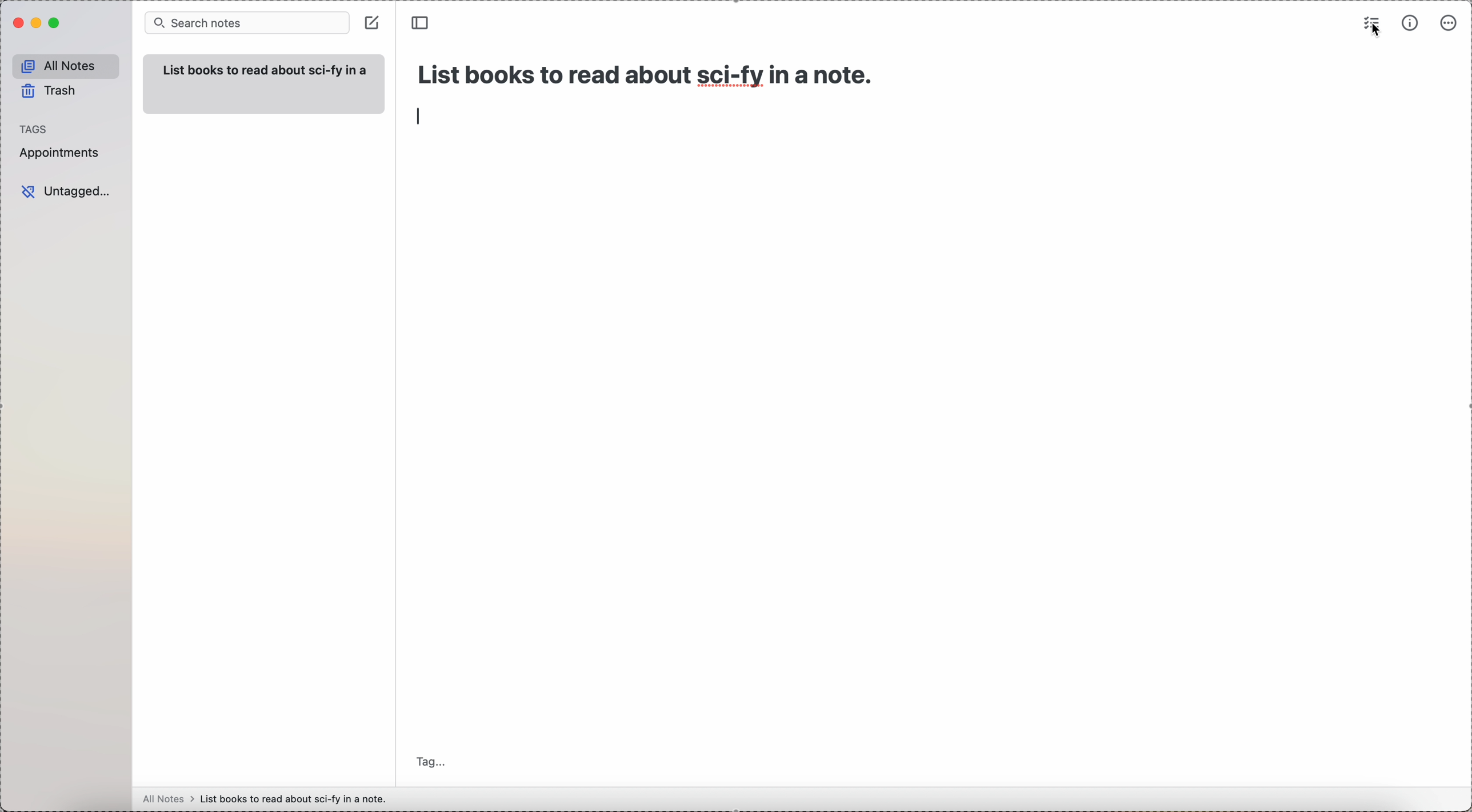 This screenshot has width=1472, height=812. I want to click on toggle sidebar, so click(422, 22).